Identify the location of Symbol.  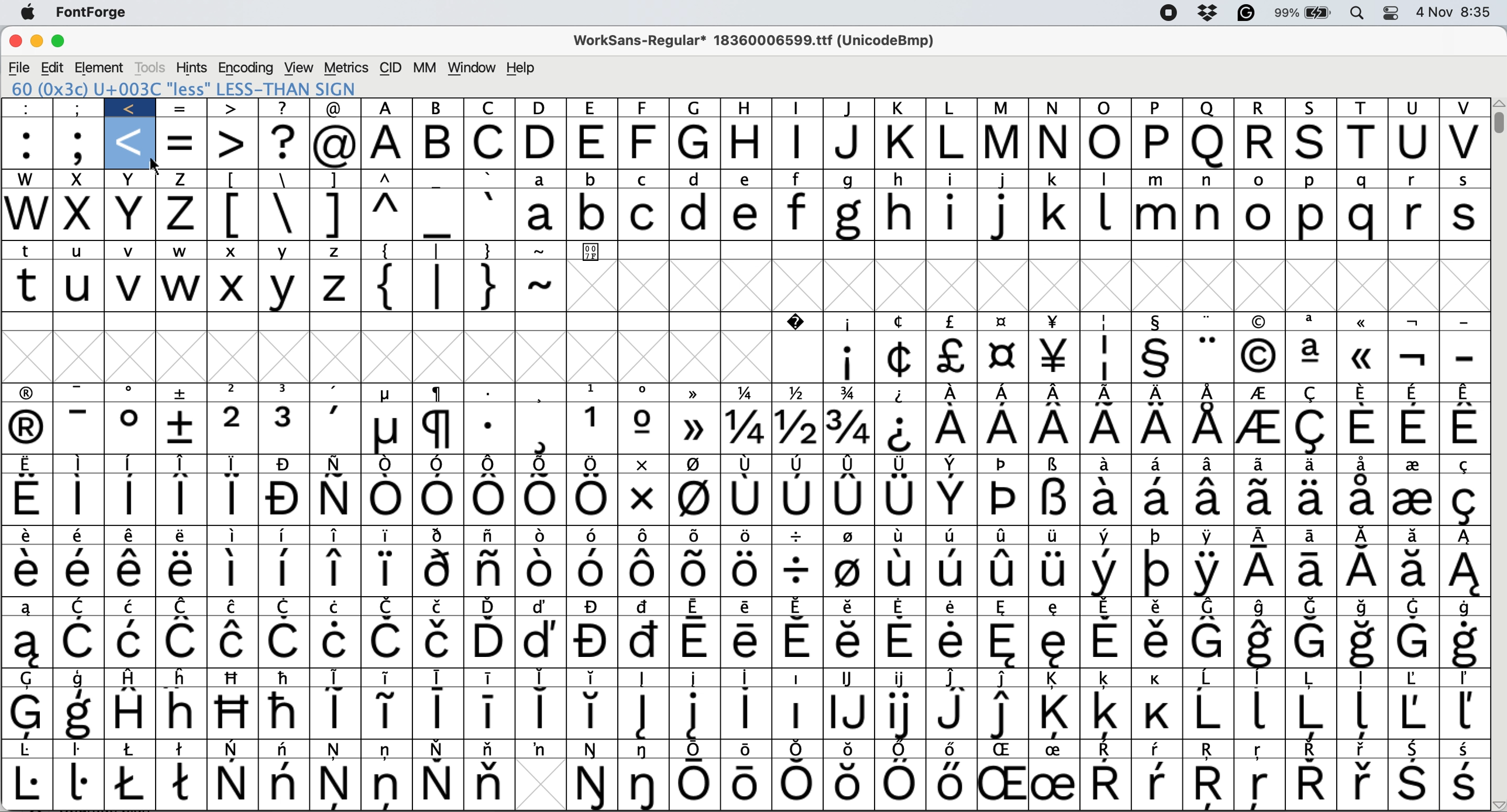
(83, 751).